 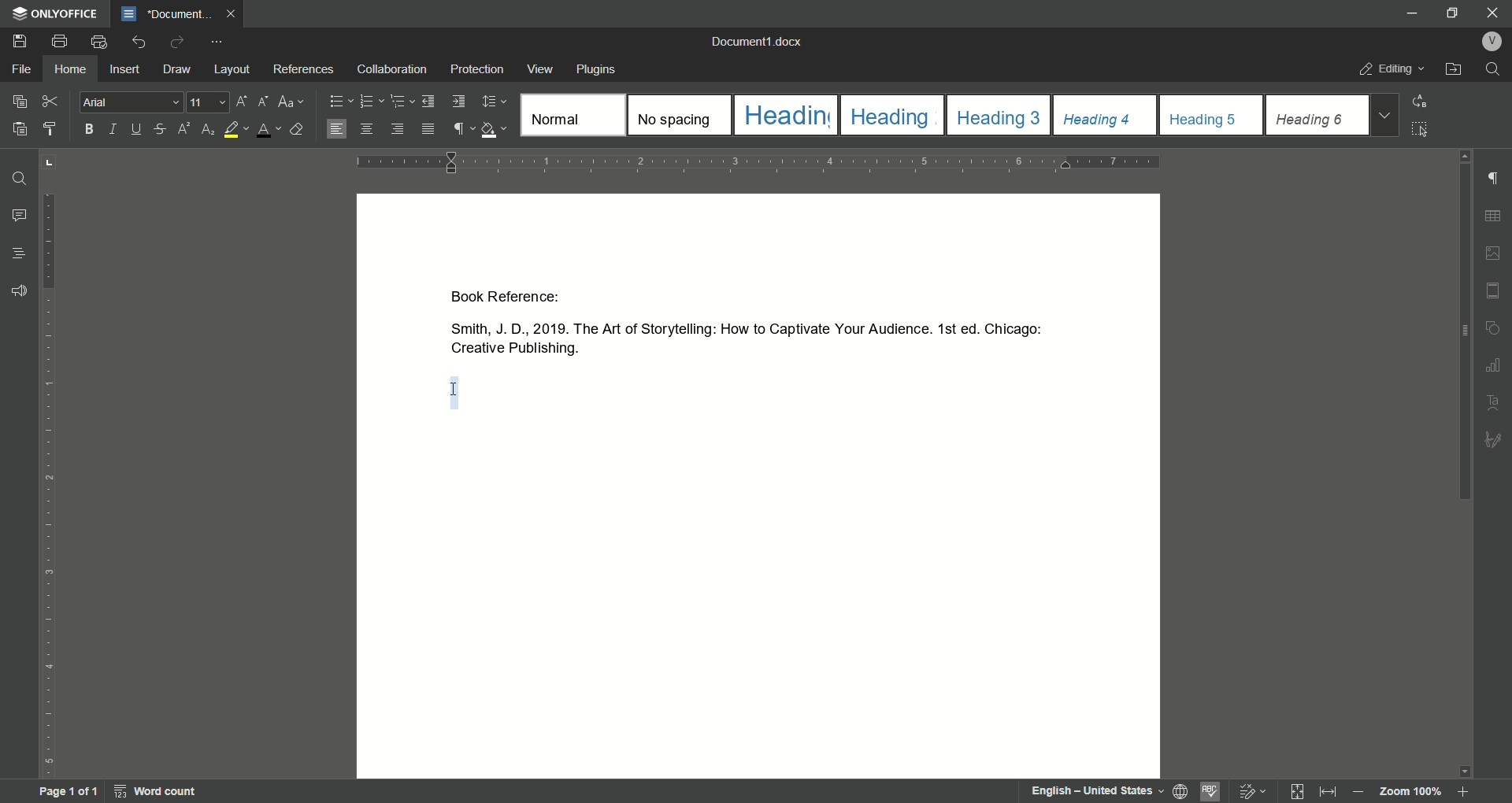 I want to click on page count, so click(x=67, y=792).